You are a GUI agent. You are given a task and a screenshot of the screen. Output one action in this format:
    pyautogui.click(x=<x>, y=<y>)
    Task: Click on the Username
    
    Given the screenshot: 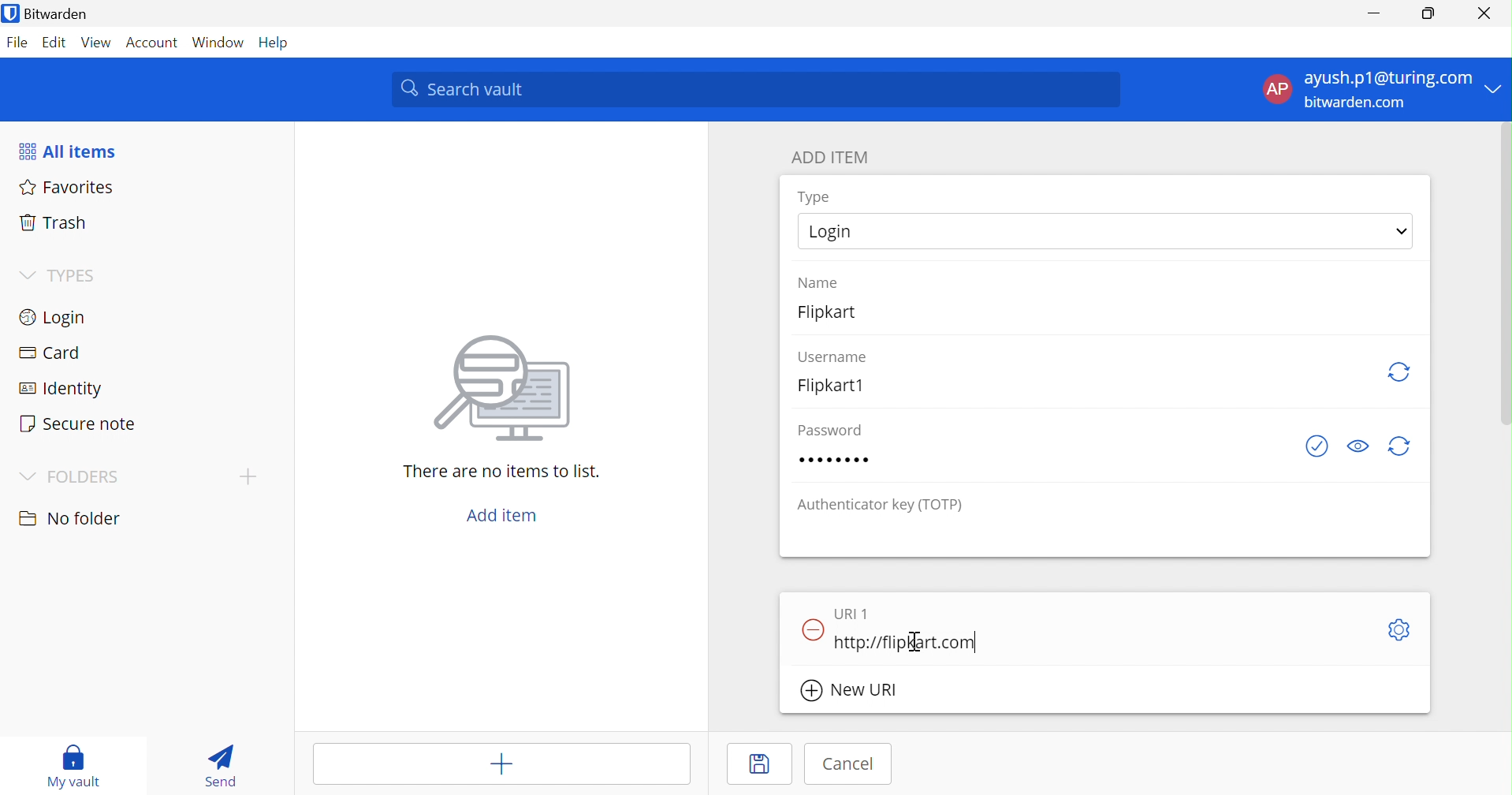 What is the action you would take?
    pyautogui.click(x=833, y=355)
    